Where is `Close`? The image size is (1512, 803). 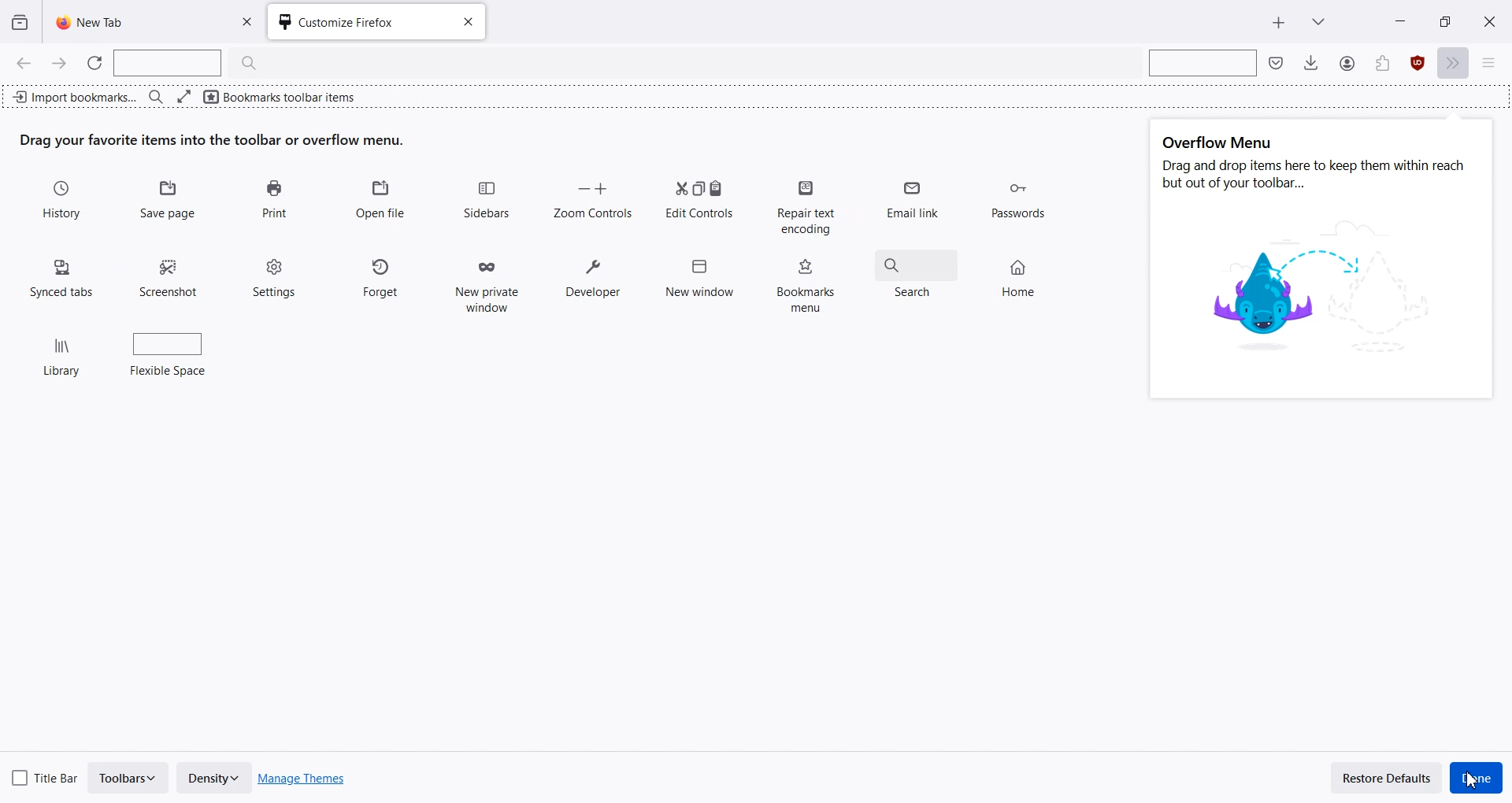 Close is located at coordinates (1489, 20).